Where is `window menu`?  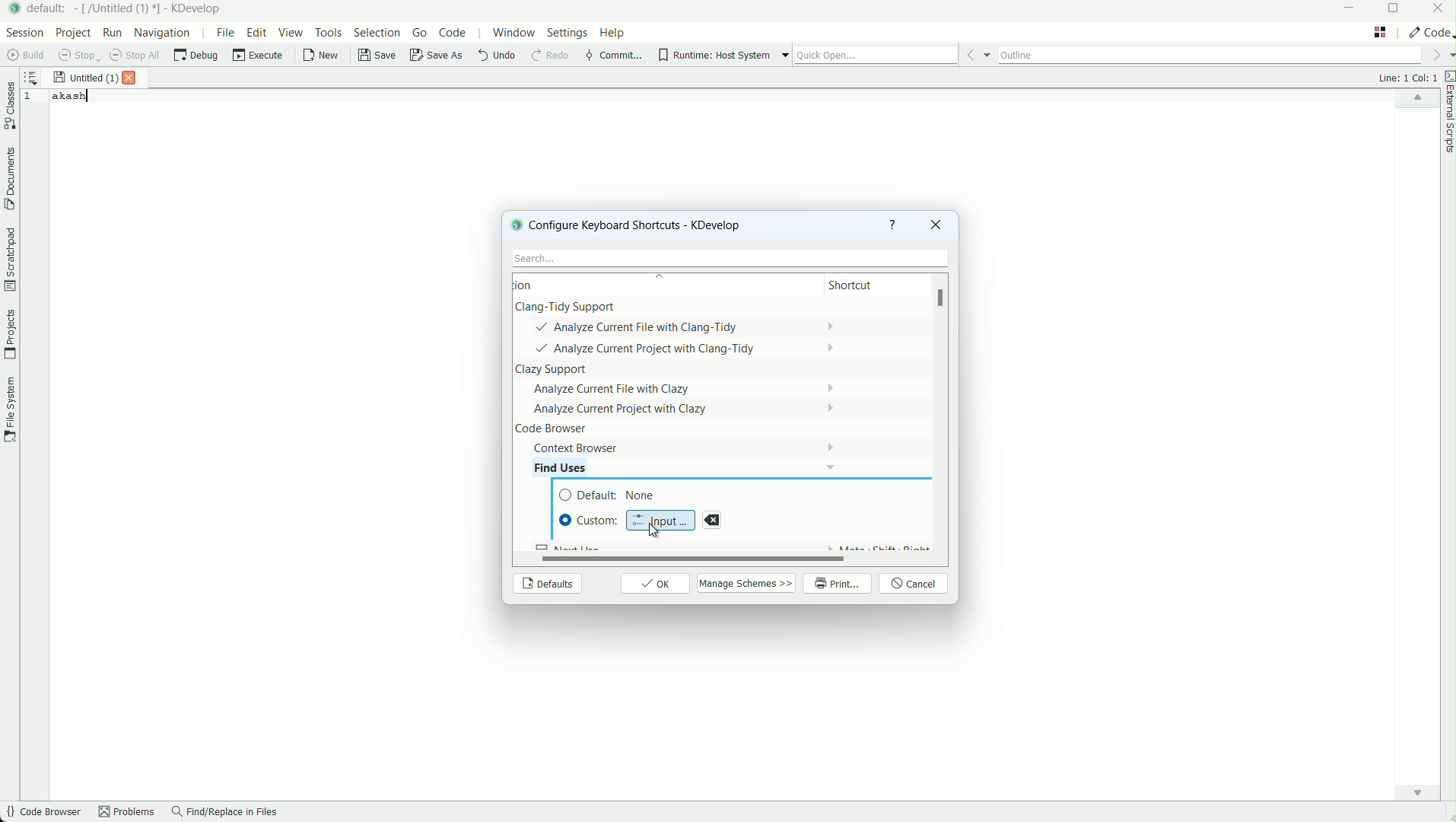 window menu is located at coordinates (513, 35).